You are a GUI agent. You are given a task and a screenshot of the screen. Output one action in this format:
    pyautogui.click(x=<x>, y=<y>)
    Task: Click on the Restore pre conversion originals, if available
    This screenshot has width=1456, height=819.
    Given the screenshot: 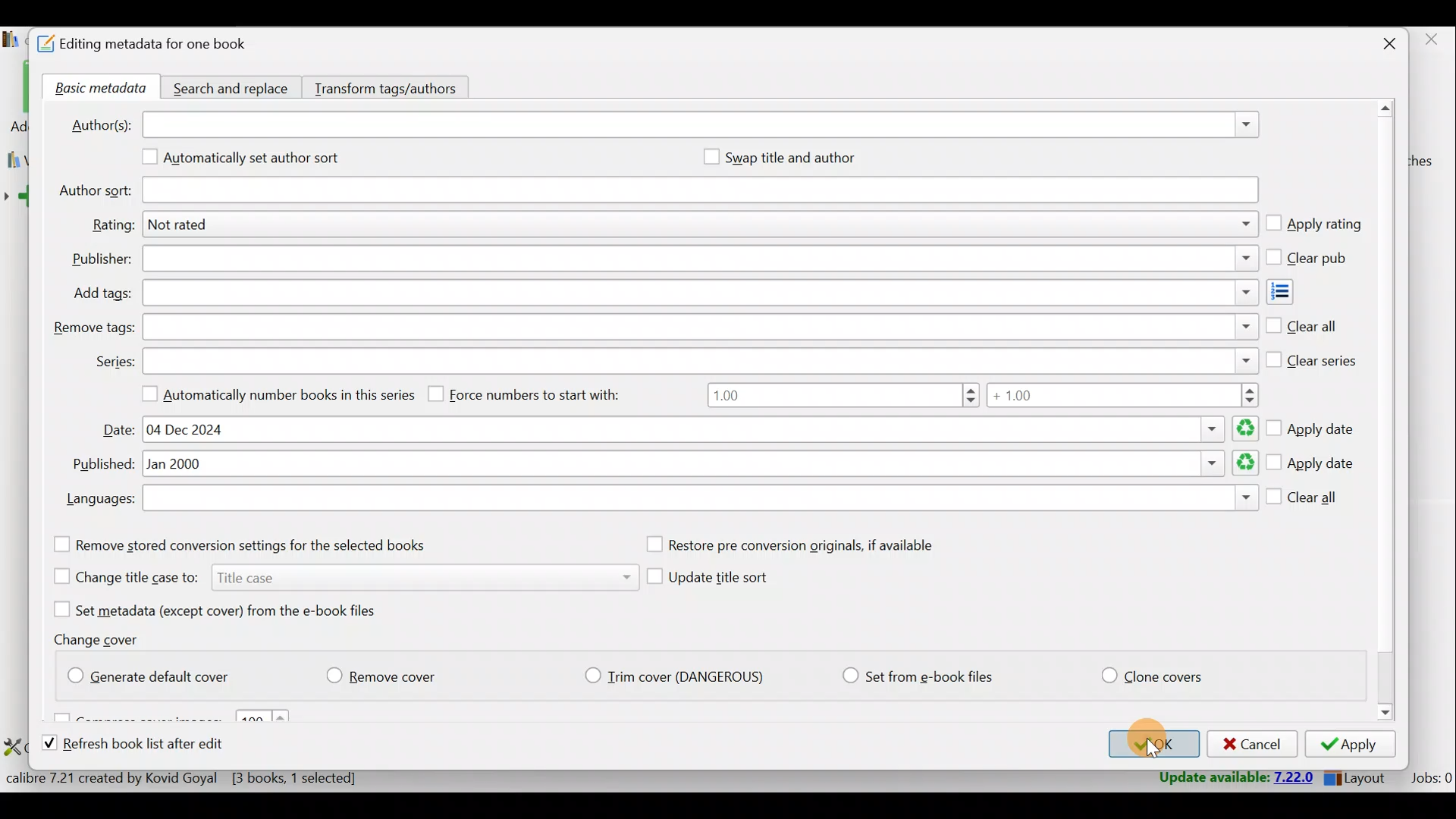 What is the action you would take?
    pyautogui.click(x=806, y=545)
    